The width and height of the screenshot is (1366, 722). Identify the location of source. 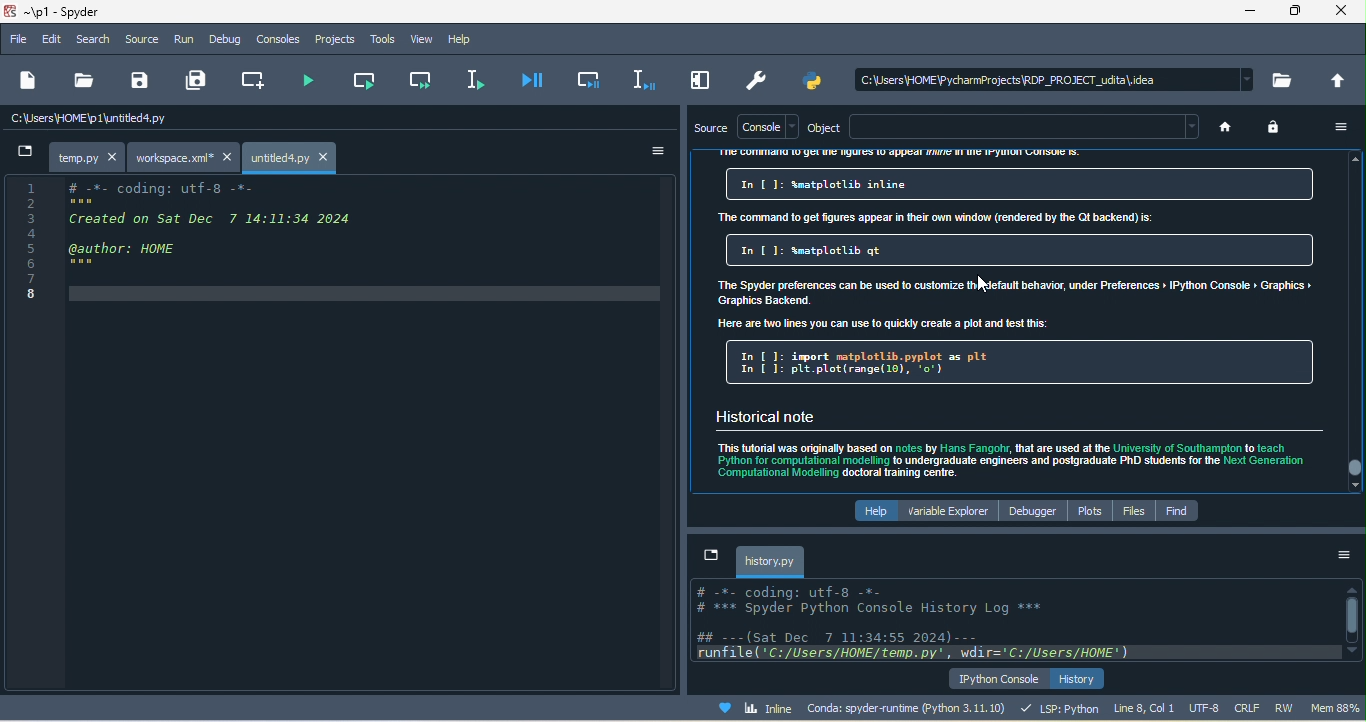
(148, 42).